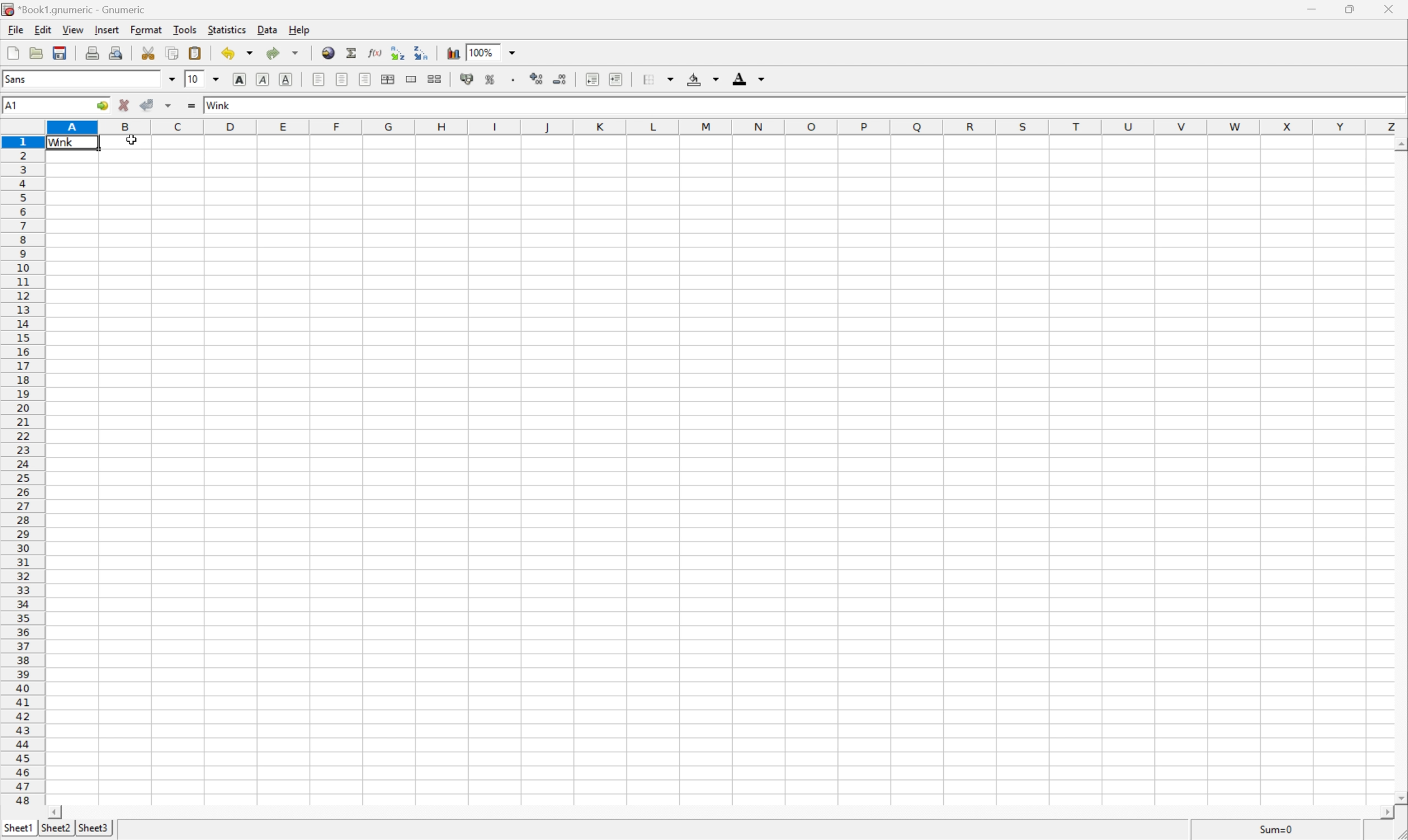 The width and height of the screenshot is (1408, 840). What do you see at coordinates (1399, 144) in the screenshot?
I see `scroll up` at bounding box center [1399, 144].